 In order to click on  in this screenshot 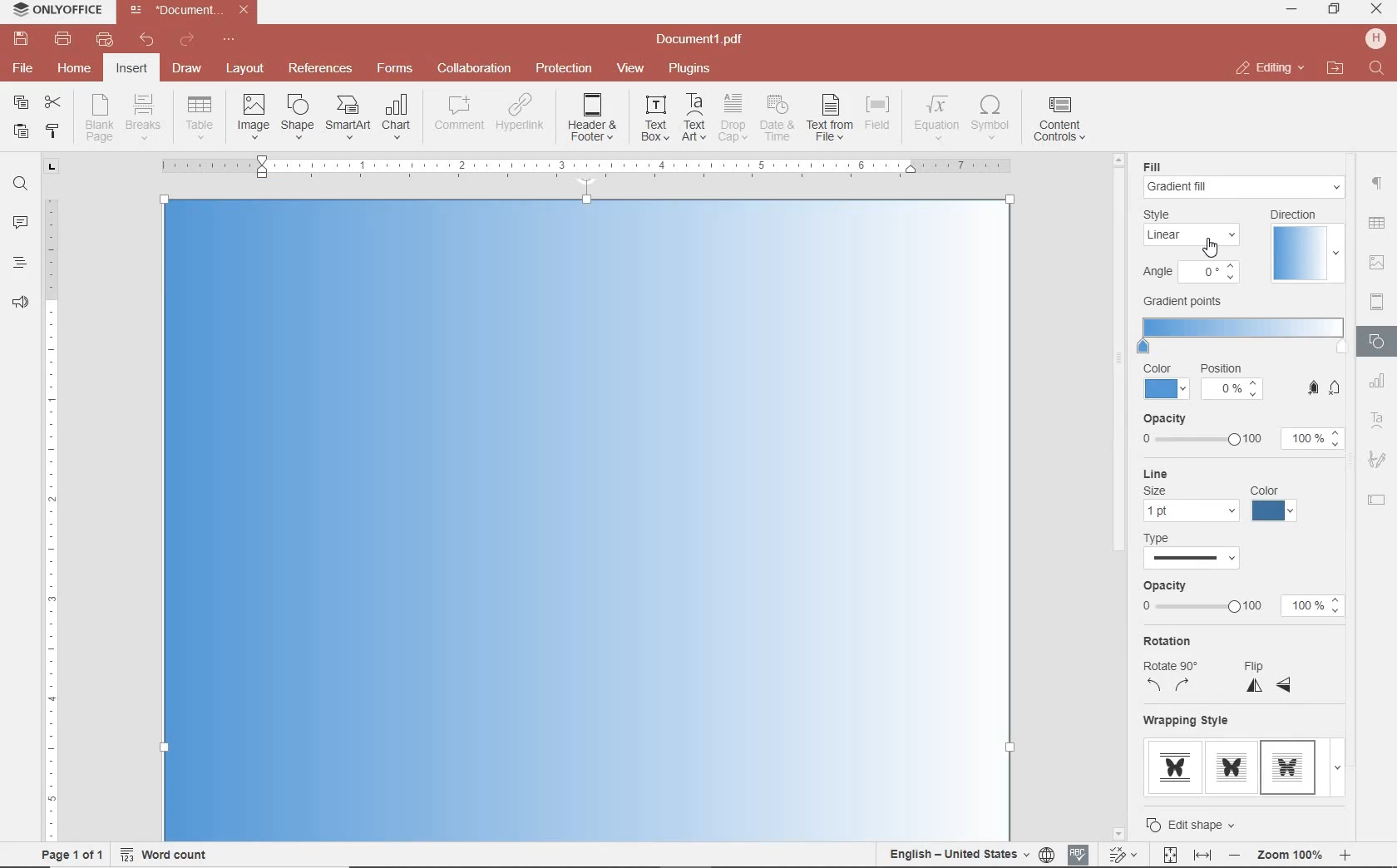, I will do `click(1238, 552)`.